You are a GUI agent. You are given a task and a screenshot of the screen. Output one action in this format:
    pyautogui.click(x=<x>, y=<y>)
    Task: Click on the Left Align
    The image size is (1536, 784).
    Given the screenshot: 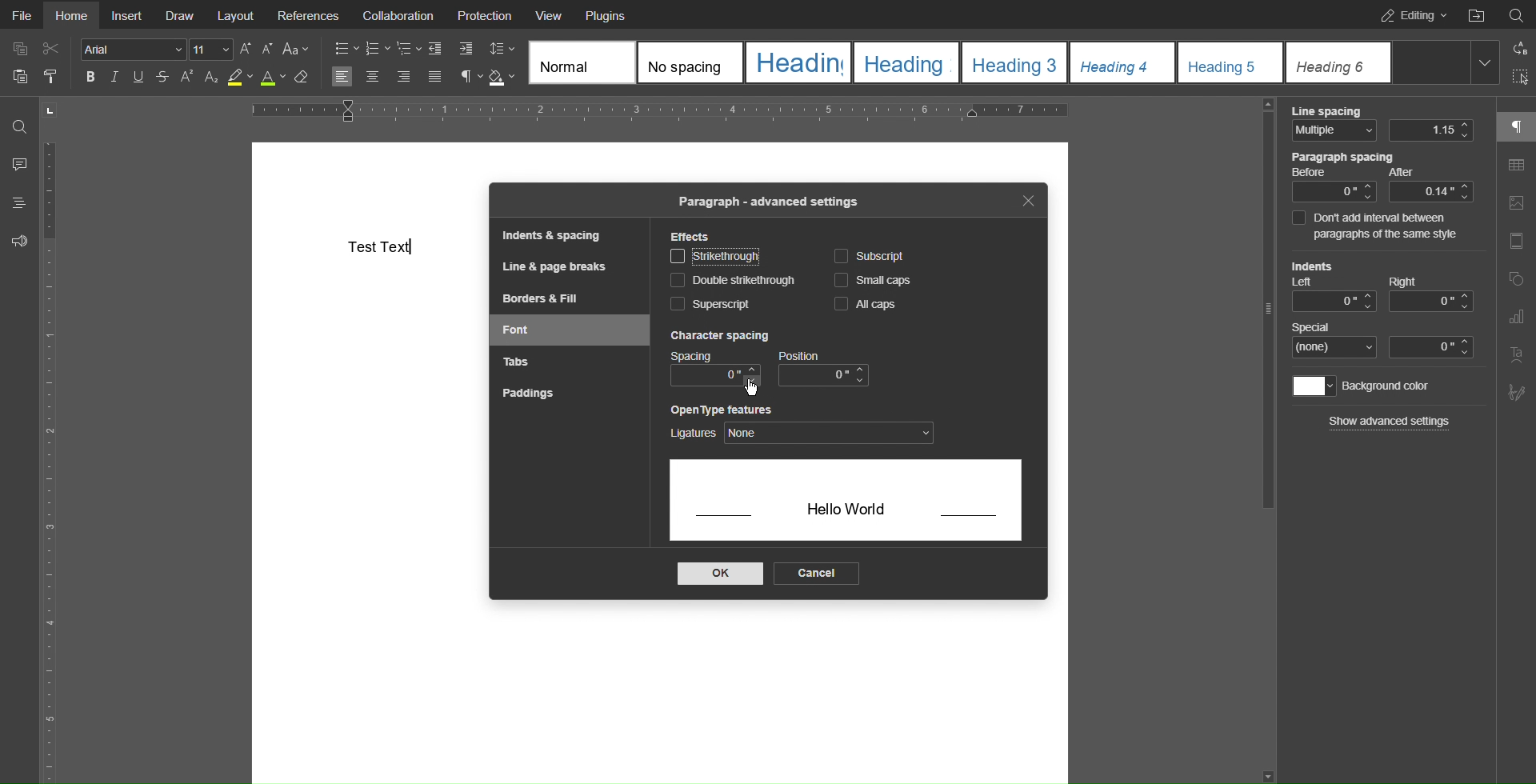 What is the action you would take?
    pyautogui.click(x=342, y=78)
    